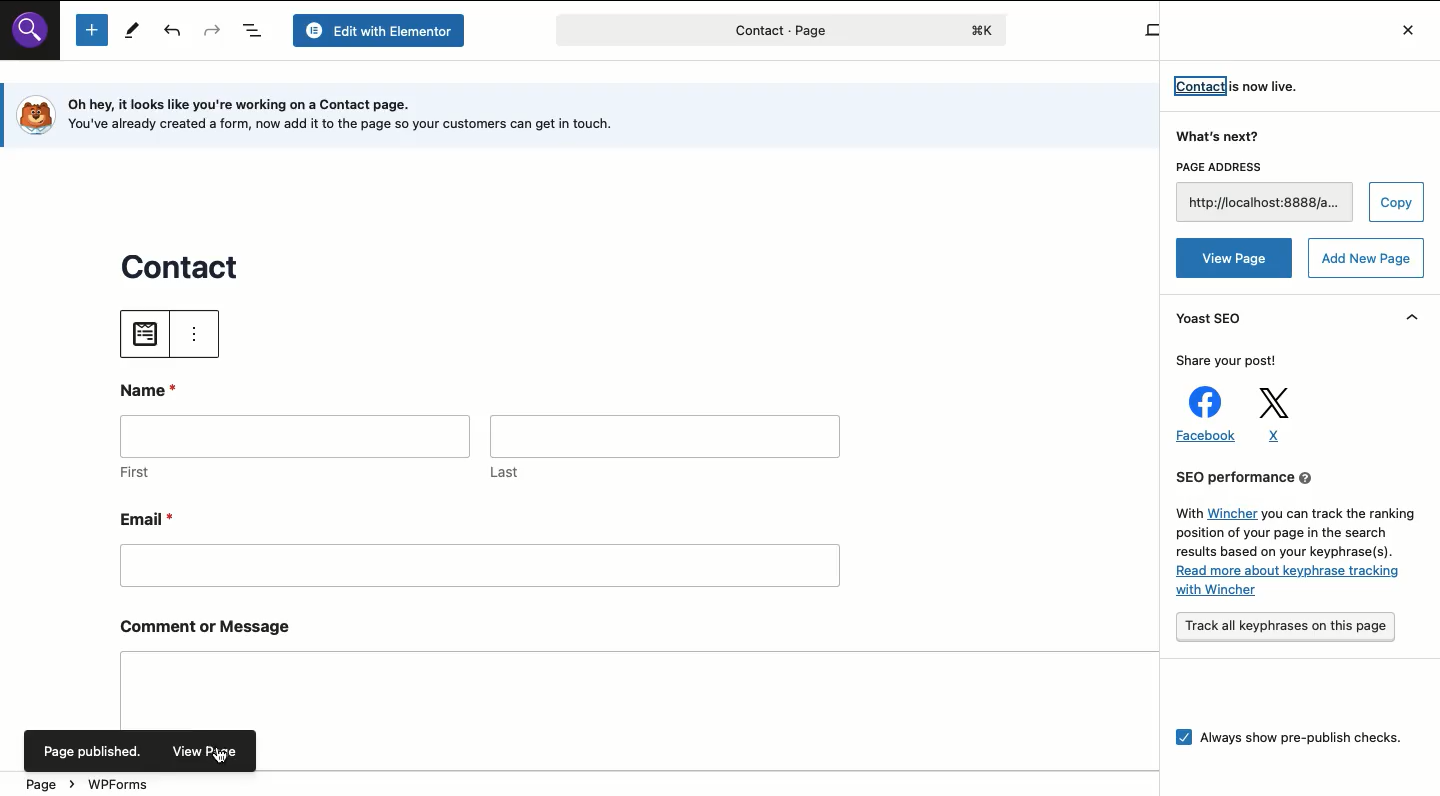 This screenshot has width=1440, height=796. What do you see at coordinates (664, 446) in the screenshot?
I see `Last` at bounding box center [664, 446].